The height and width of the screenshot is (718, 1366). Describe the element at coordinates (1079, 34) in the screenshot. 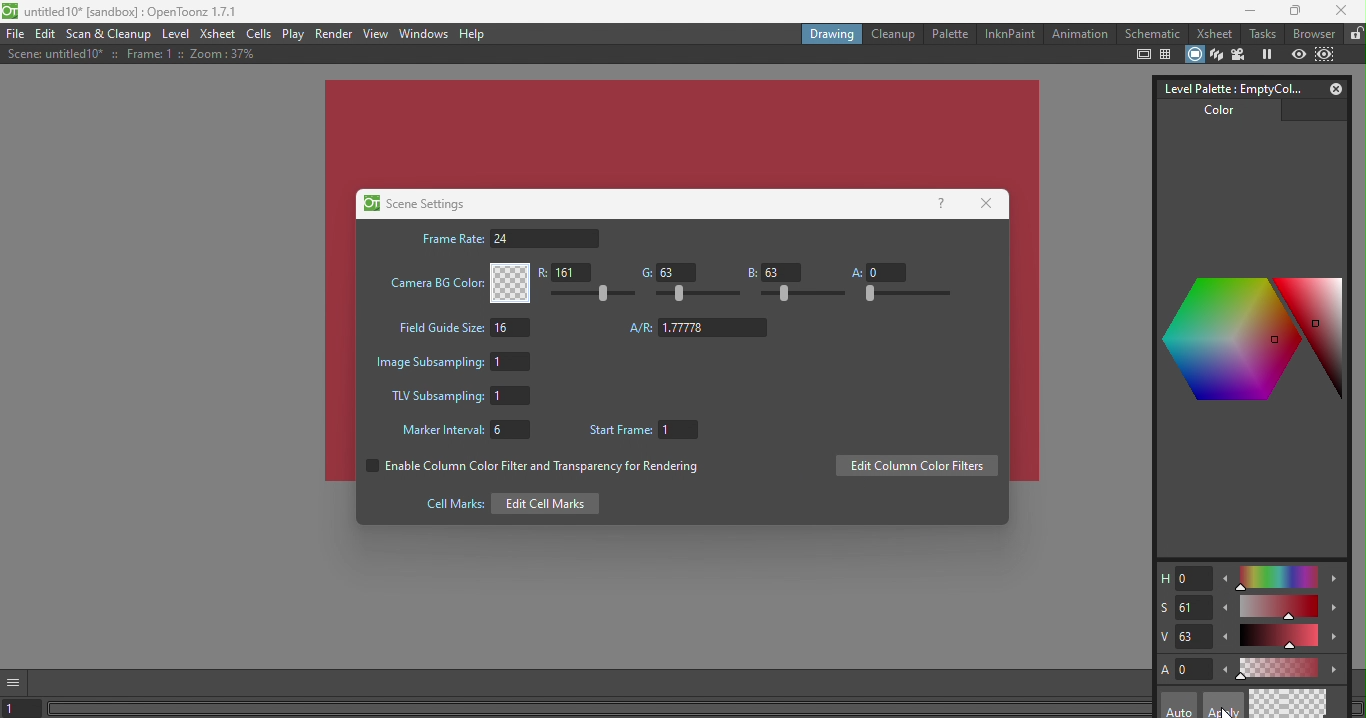

I see `Animation` at that location.